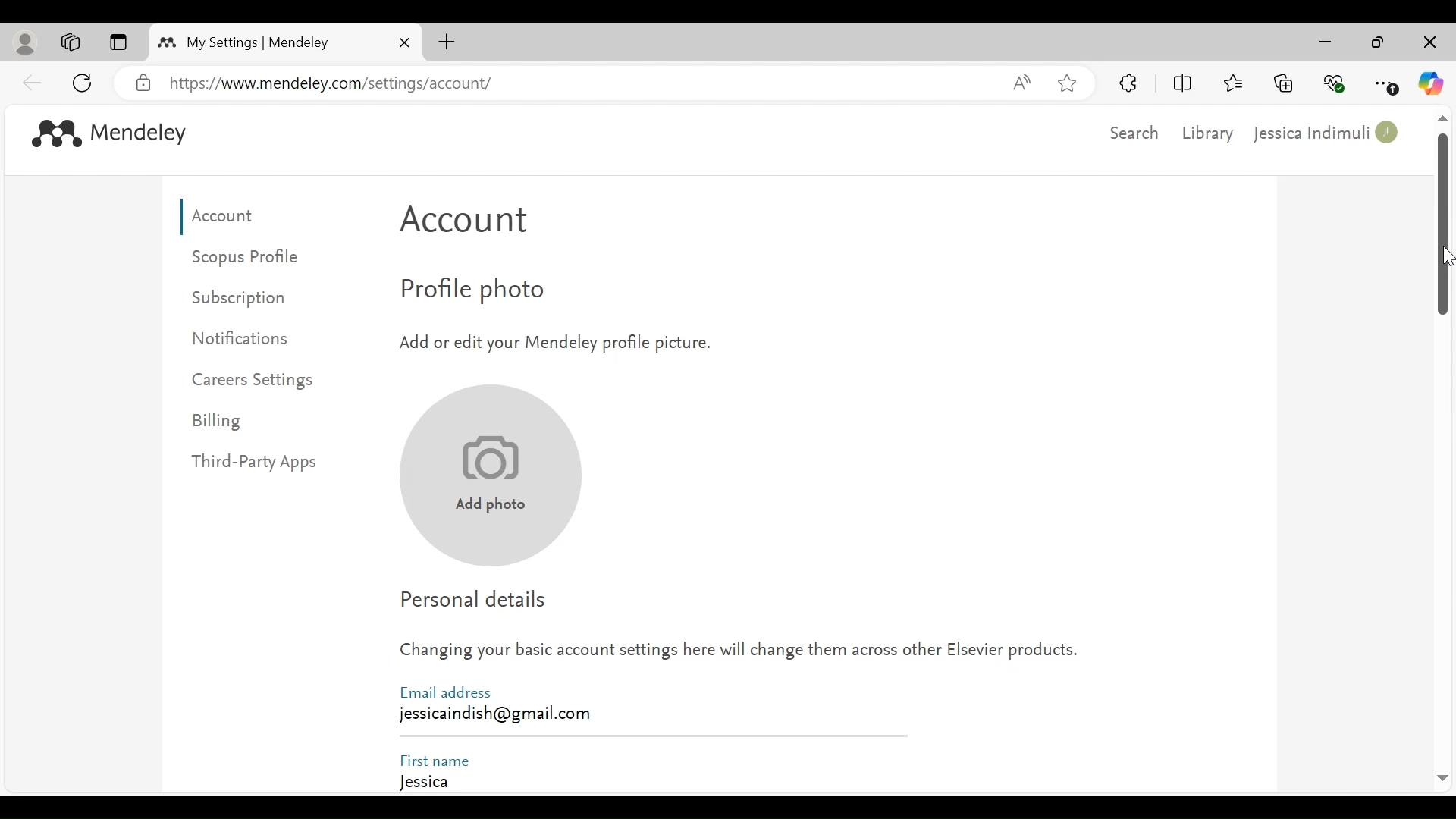 The image size is (1456, 819). Describe the element at coordinates (249, 257) in the screenshot. I see `Scopus Profile` at that location.